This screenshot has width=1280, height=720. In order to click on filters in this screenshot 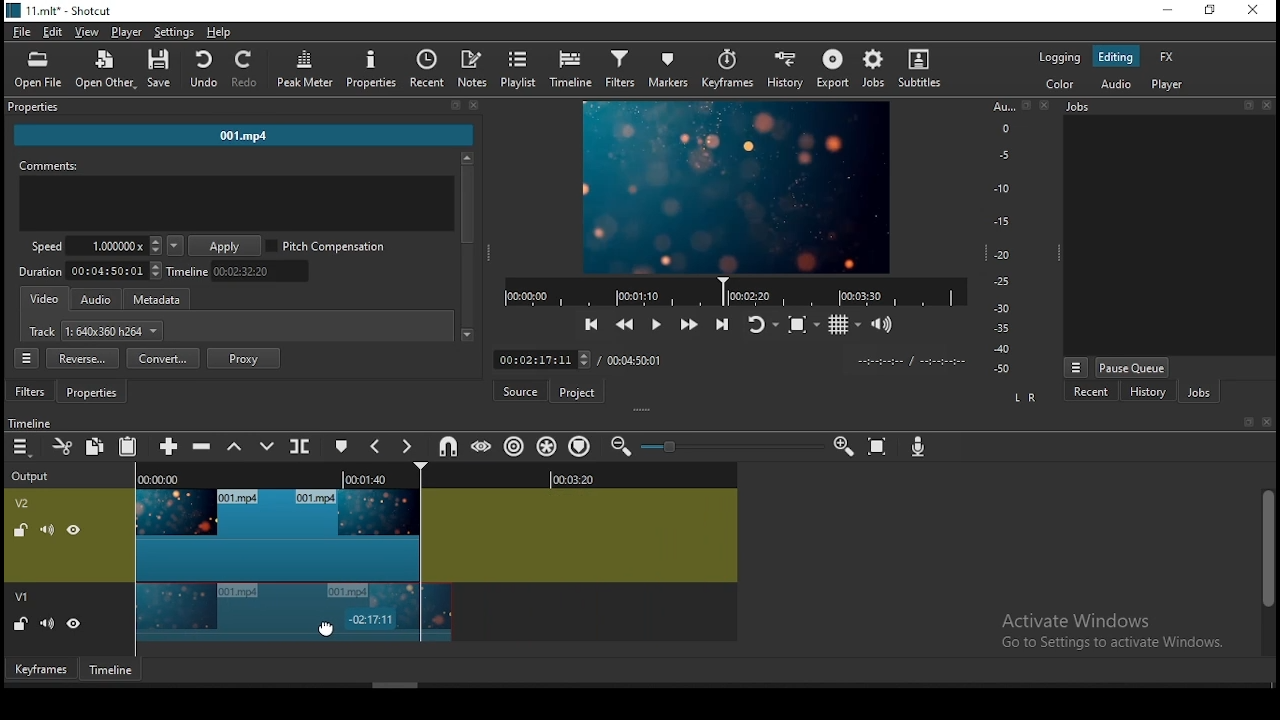, I will do `click(623, 70)`.